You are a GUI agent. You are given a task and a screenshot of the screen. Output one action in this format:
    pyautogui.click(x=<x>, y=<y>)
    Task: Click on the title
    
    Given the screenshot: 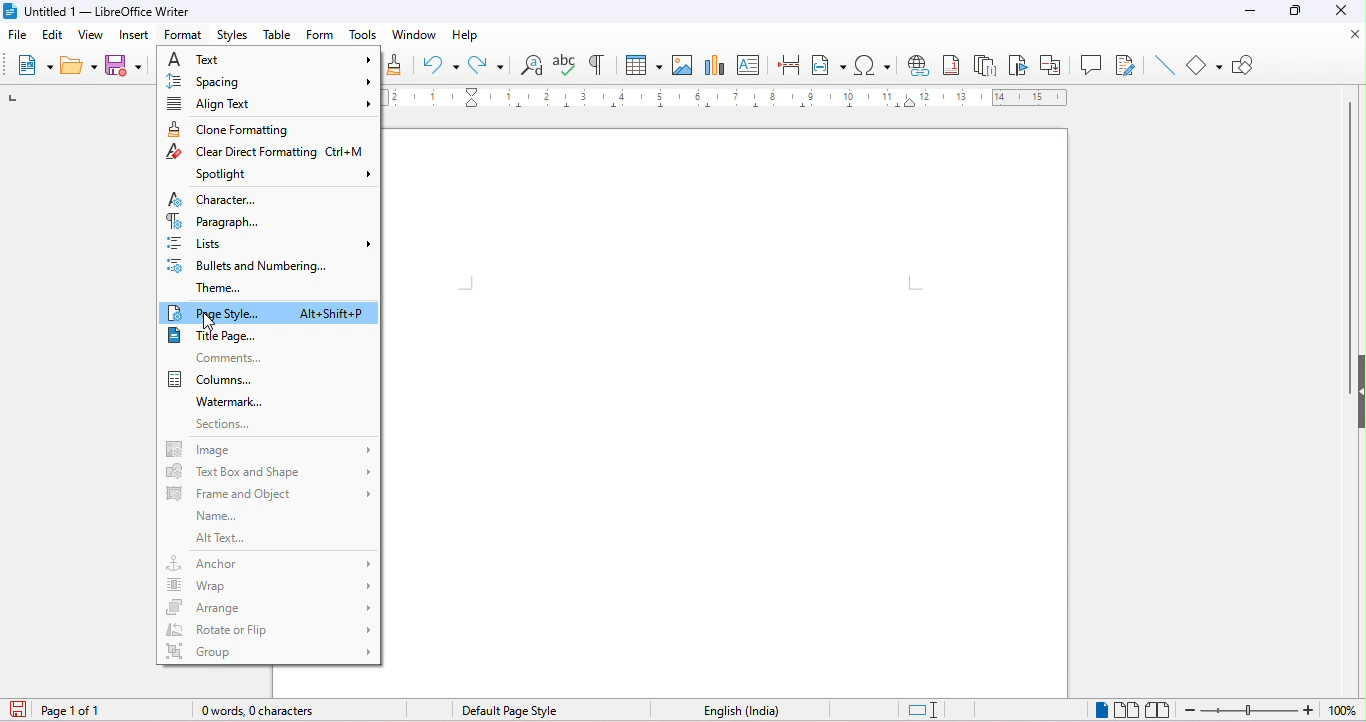 What is the action you would take?
    pyautogui.click(x=98, y=12)
    